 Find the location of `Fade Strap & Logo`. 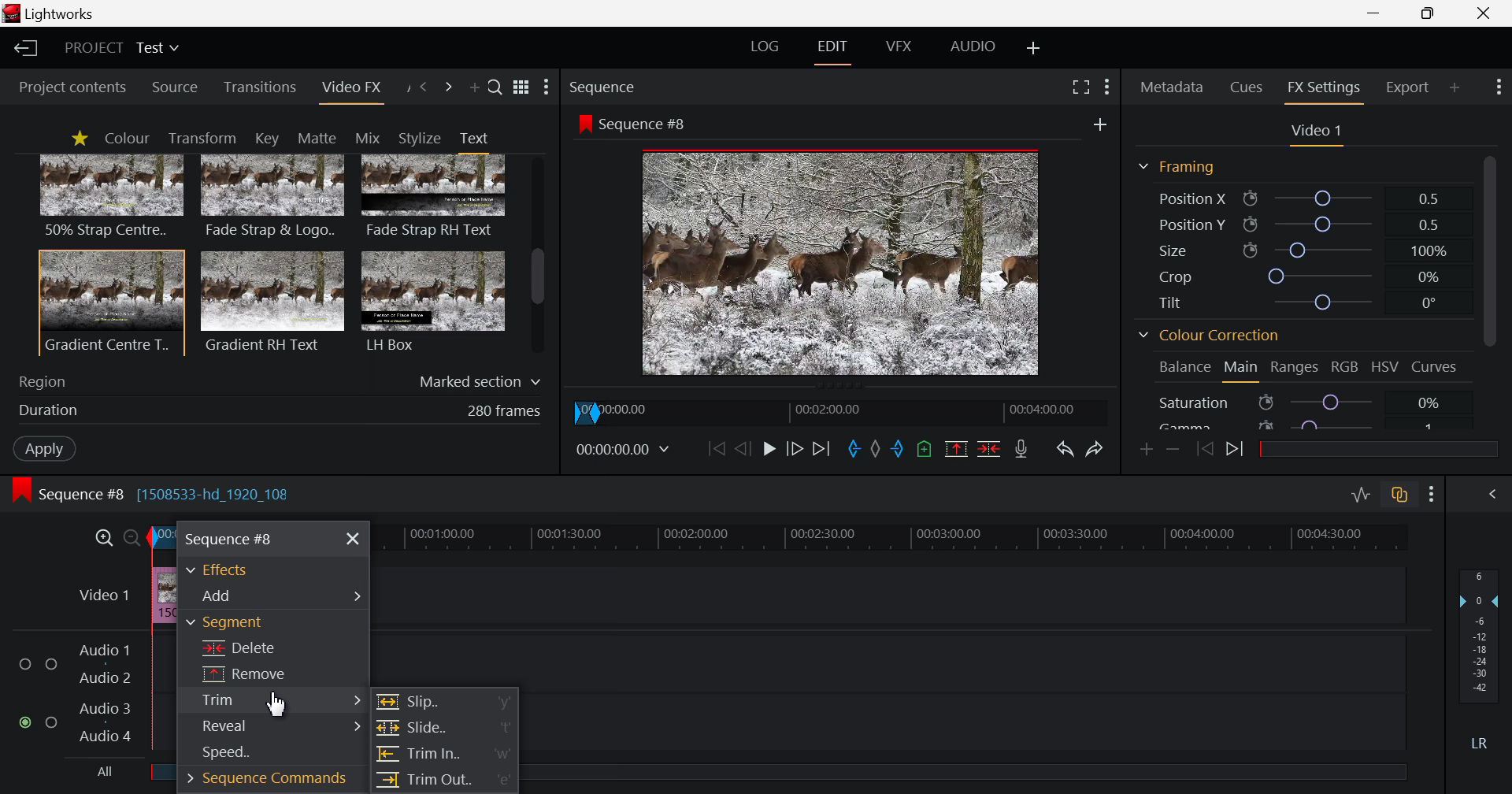

Fade Strap & Logo is located at coordinates (273, 198).